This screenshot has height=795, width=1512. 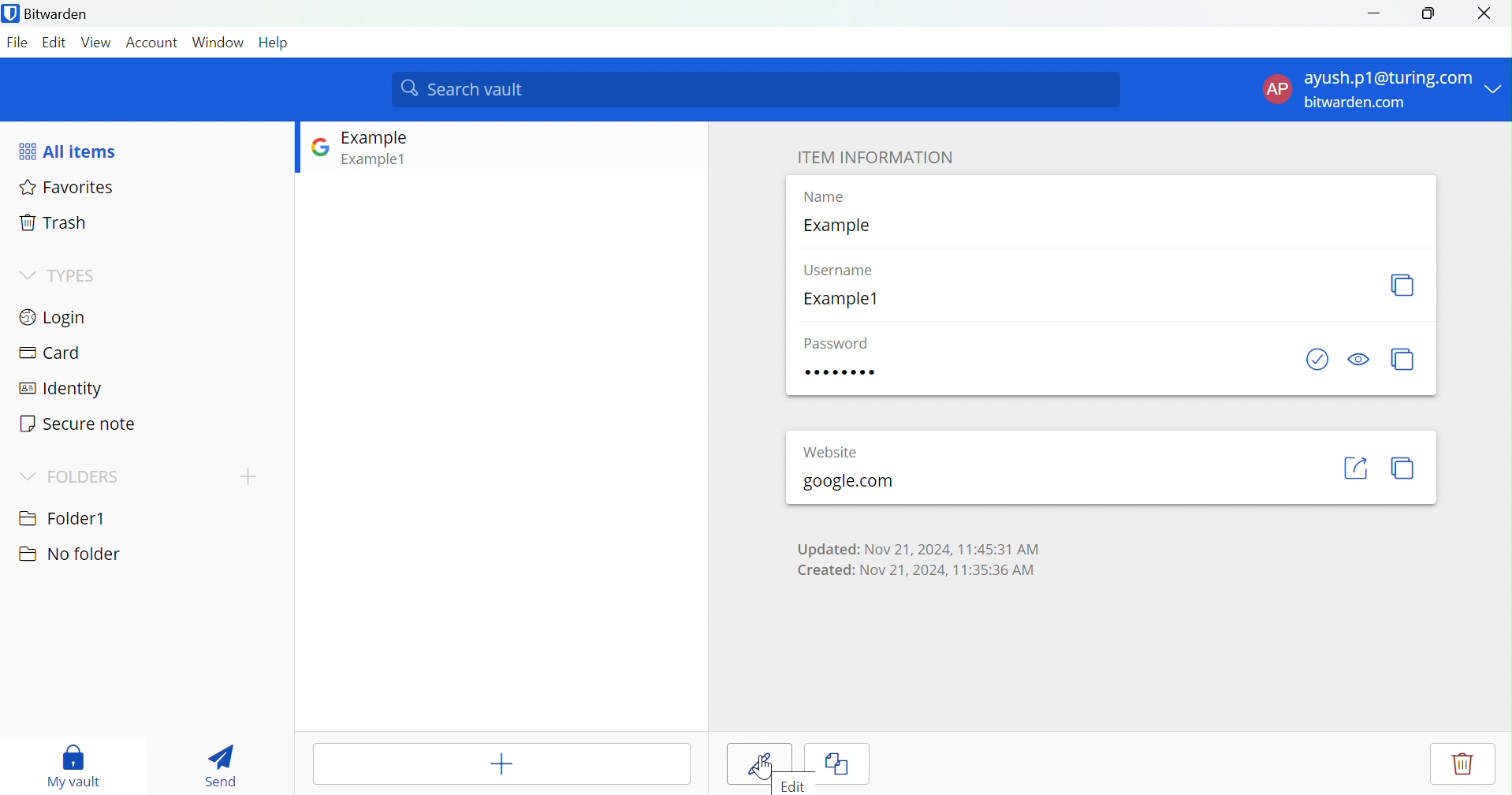 I want to click on Drop Down, so click(x=25, y=274).